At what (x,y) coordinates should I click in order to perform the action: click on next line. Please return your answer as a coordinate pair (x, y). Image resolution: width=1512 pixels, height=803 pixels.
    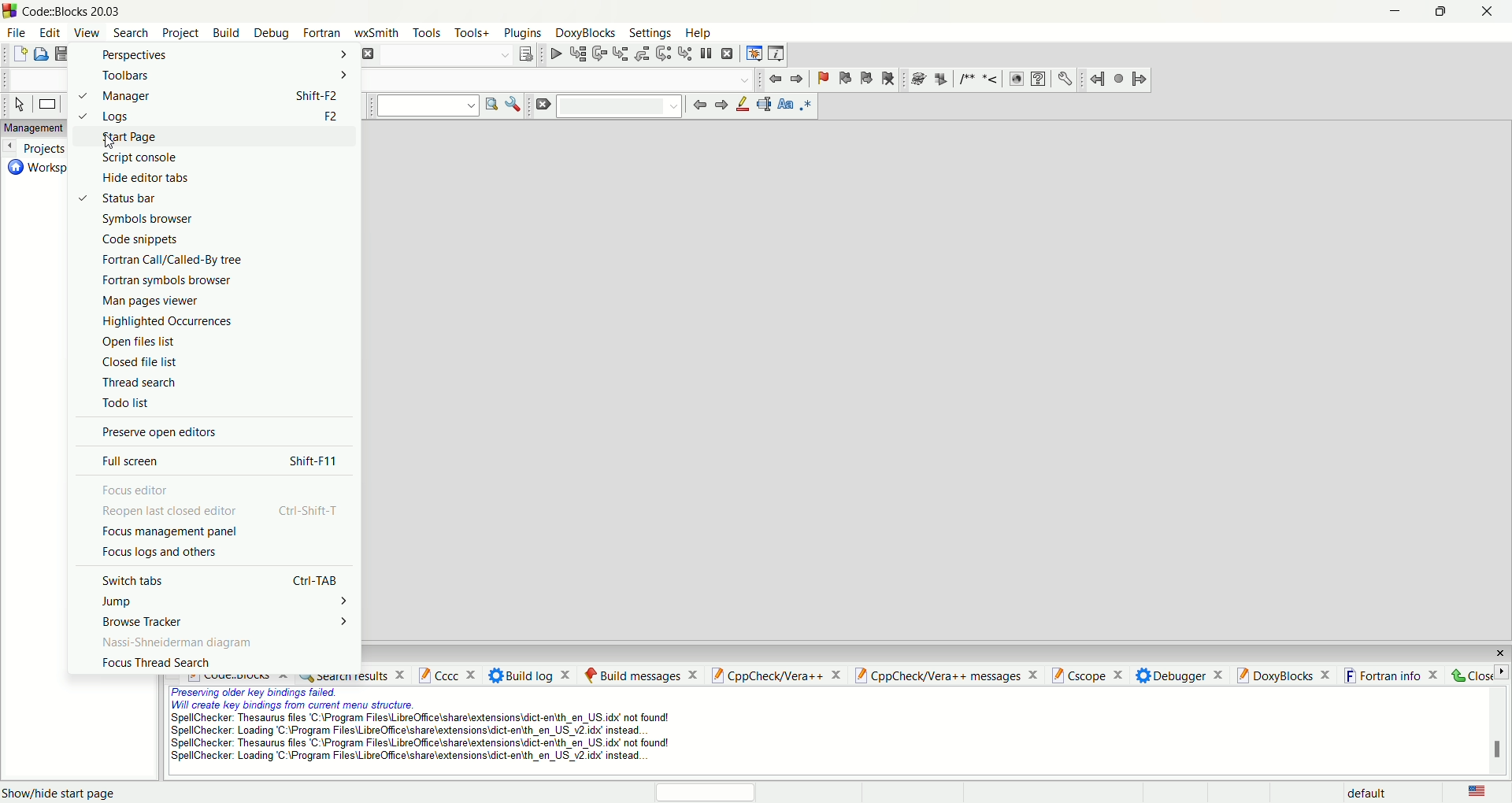
    Looking at the image, I should click on (598, 54).